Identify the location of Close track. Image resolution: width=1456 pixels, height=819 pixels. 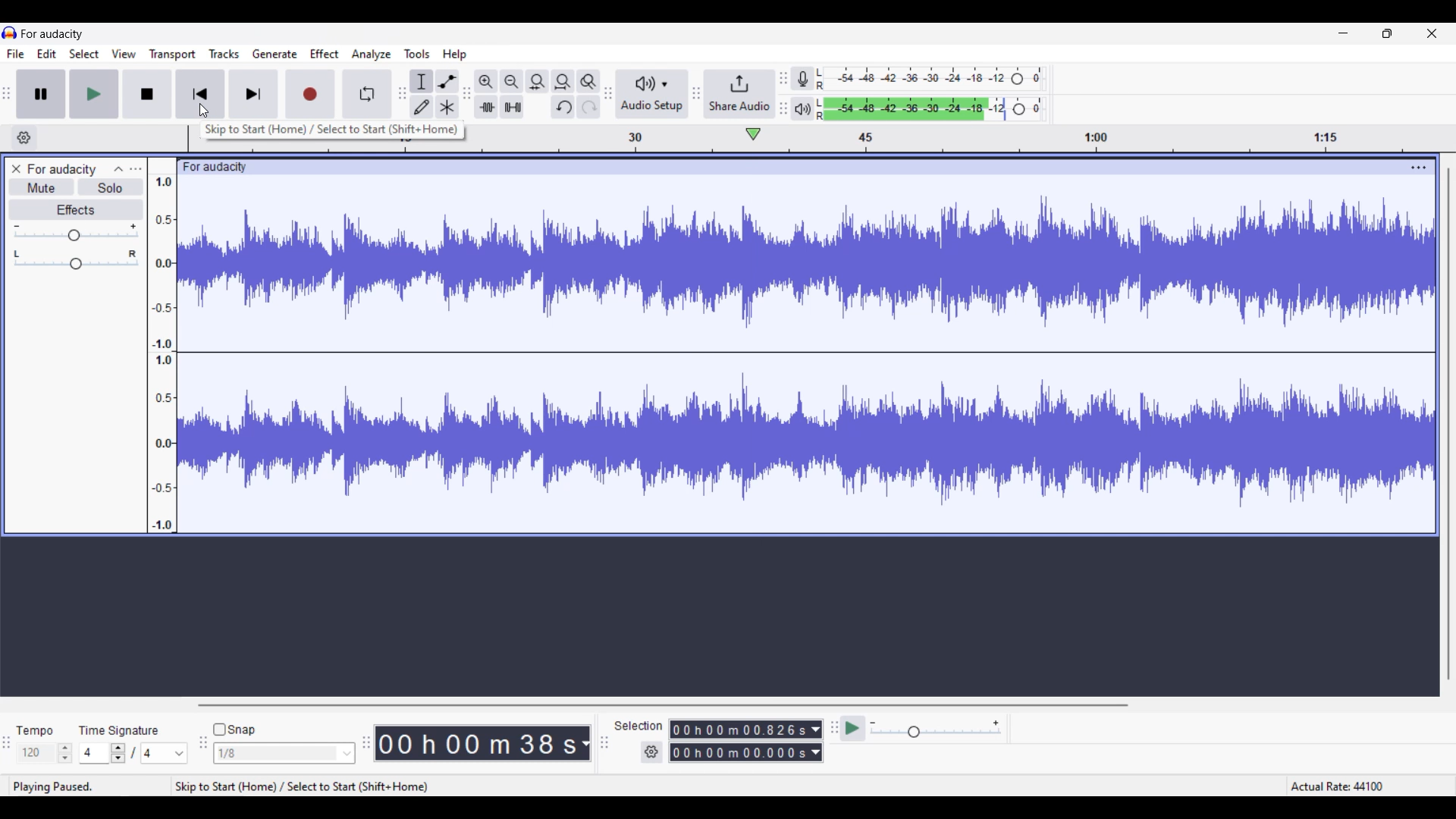
(17, 169).